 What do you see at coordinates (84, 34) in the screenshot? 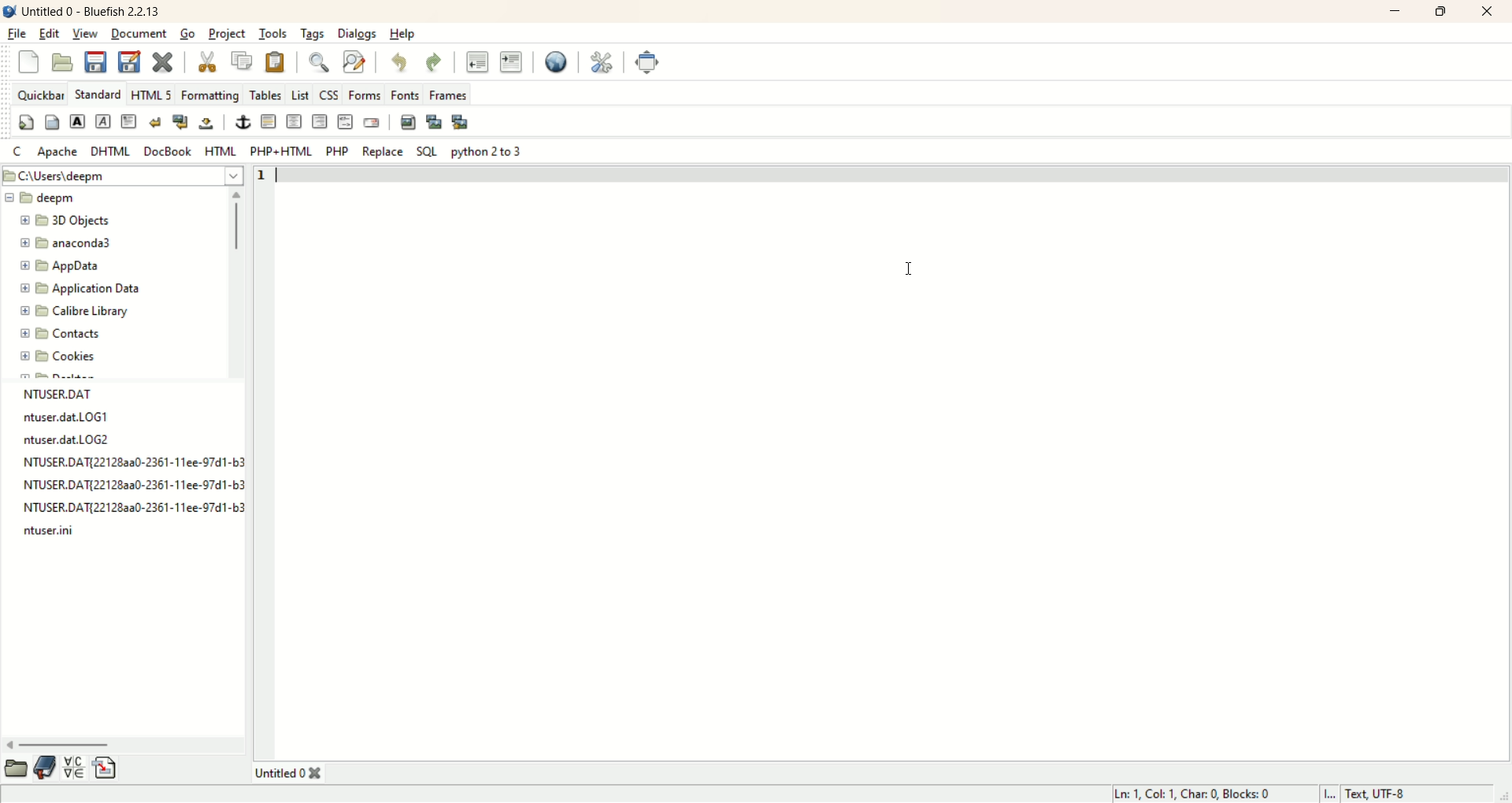
I see `view` at bounding box center [84, 34].